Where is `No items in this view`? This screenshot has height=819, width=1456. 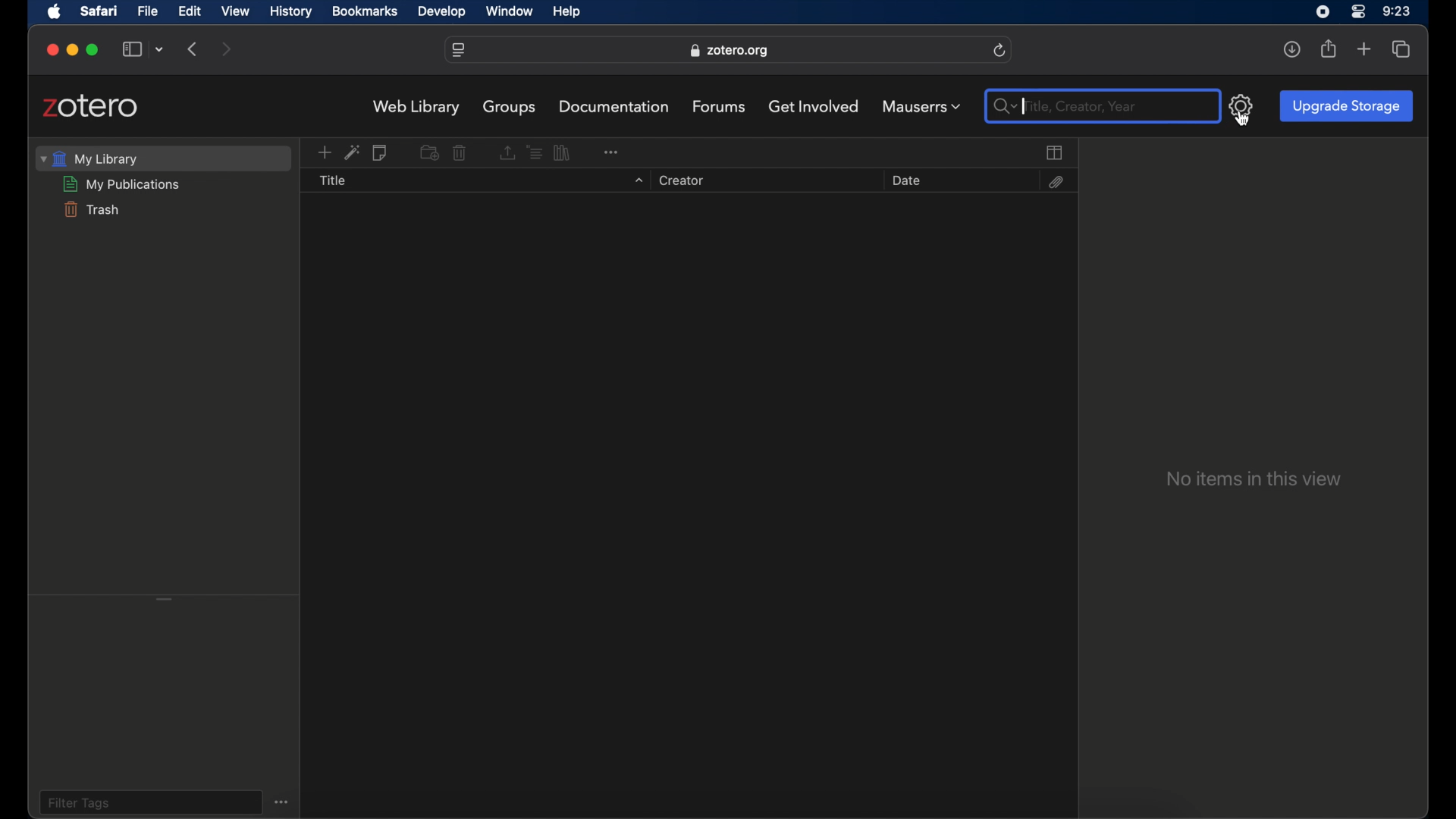
No items in this view is located at coordinates (1253, 479).